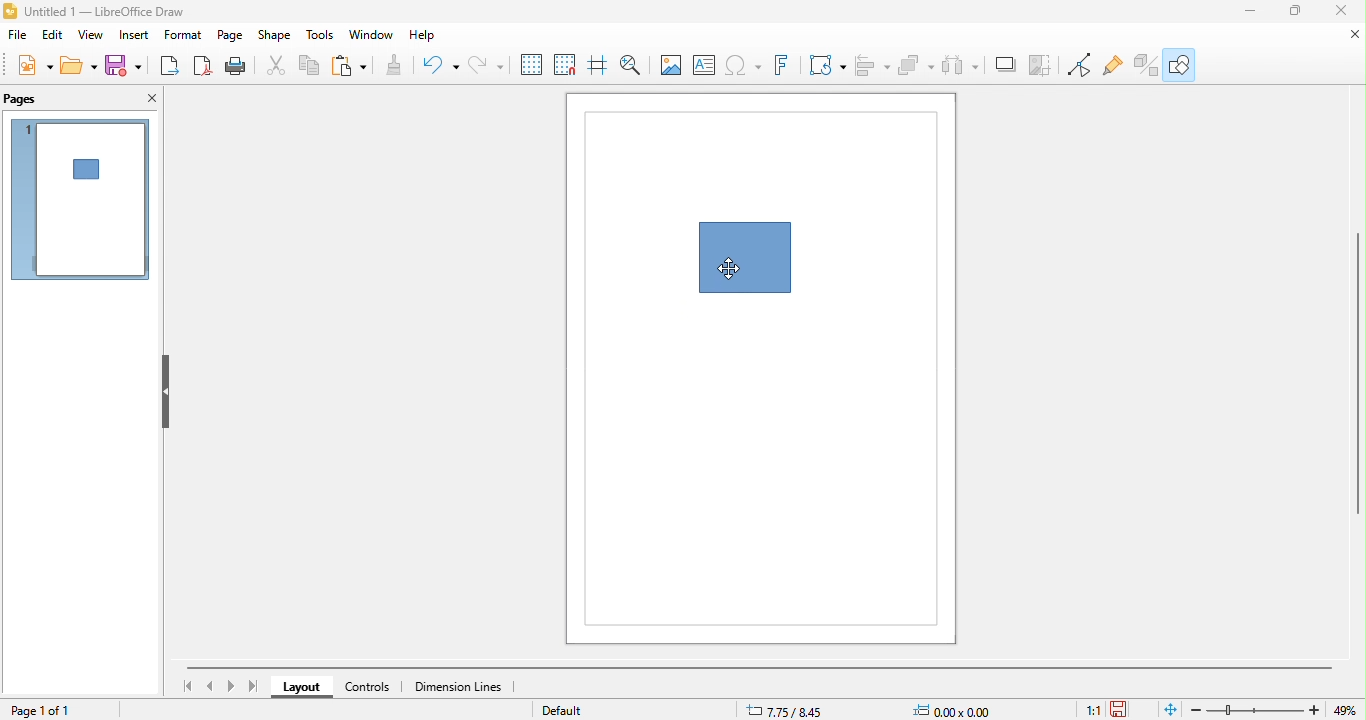 This screenshot has height=720, width=1366. I want to click on fill page to current window, so click(1167, 709).